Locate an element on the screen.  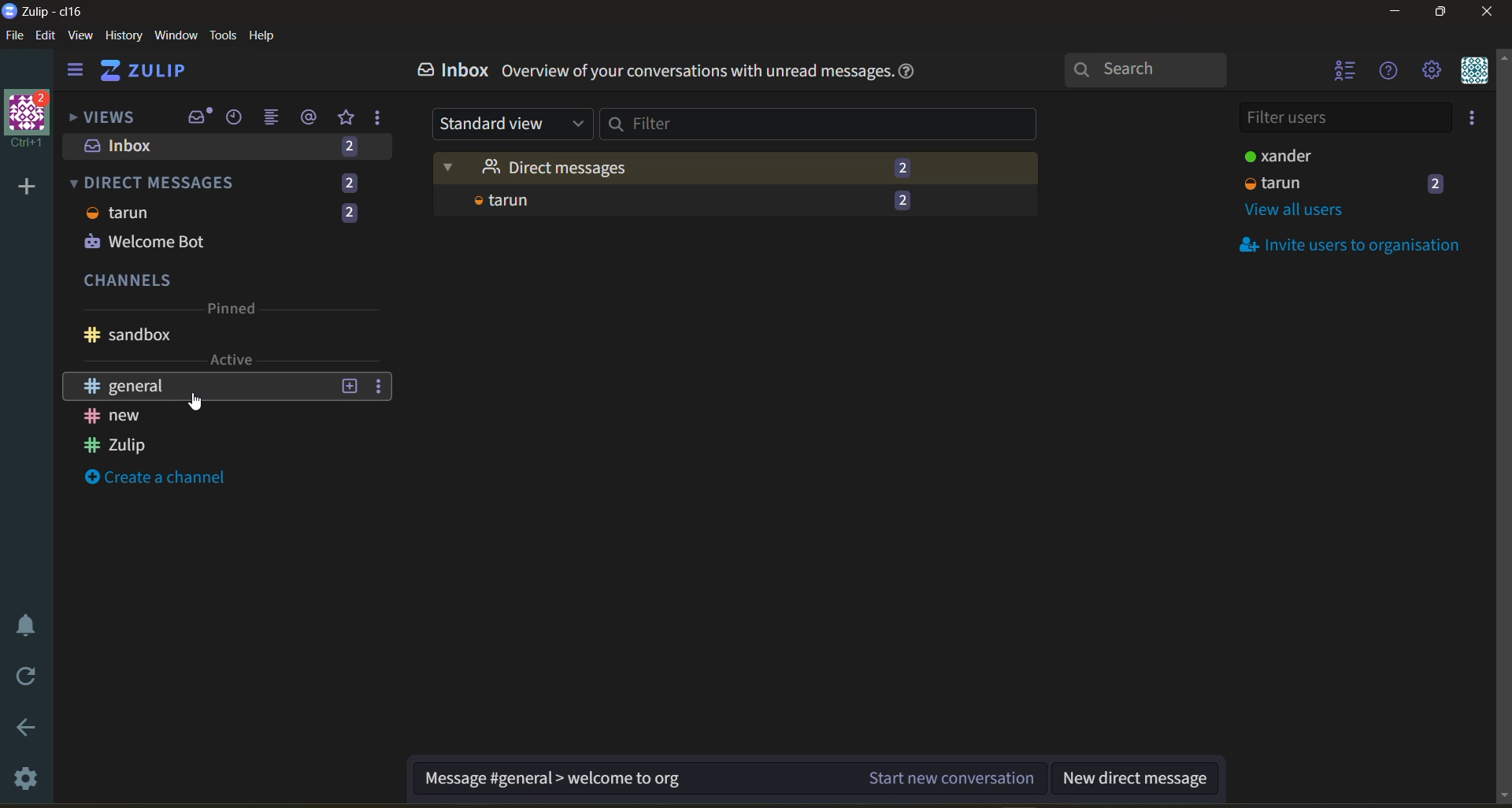
 is located at coordinates (126, 448).